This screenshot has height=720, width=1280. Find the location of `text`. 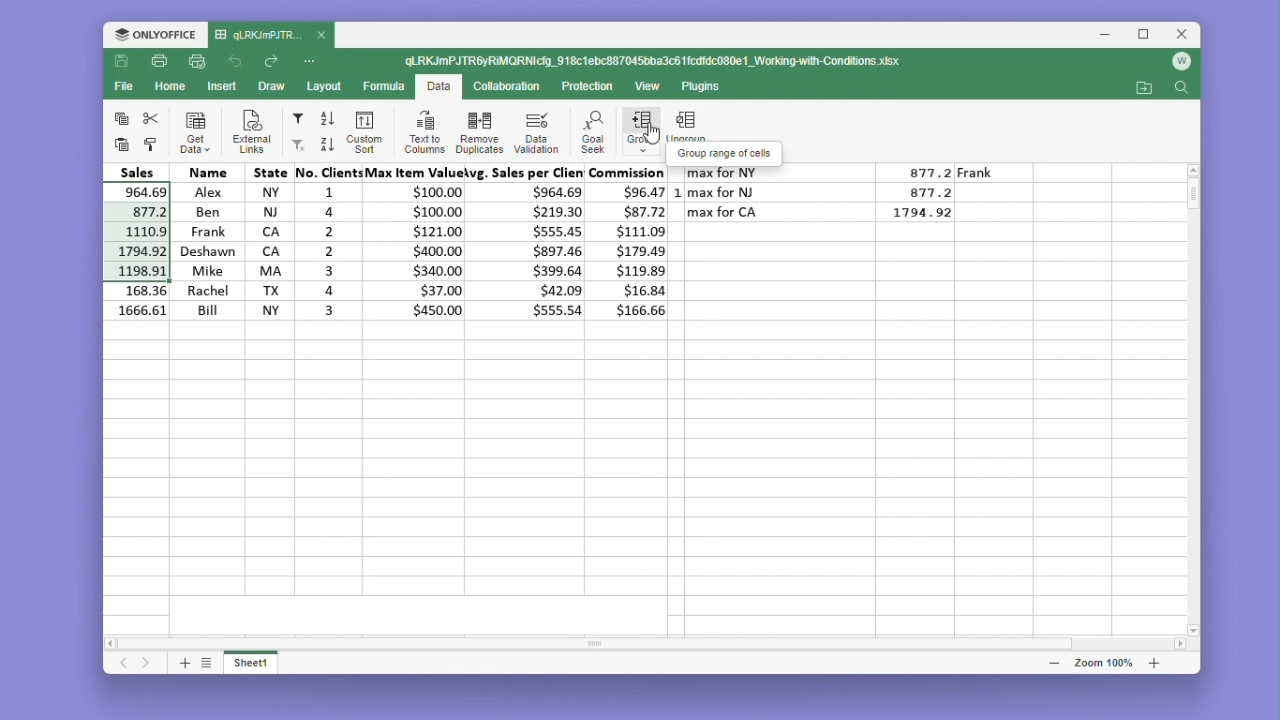

text is located at coordinates (727, 152).